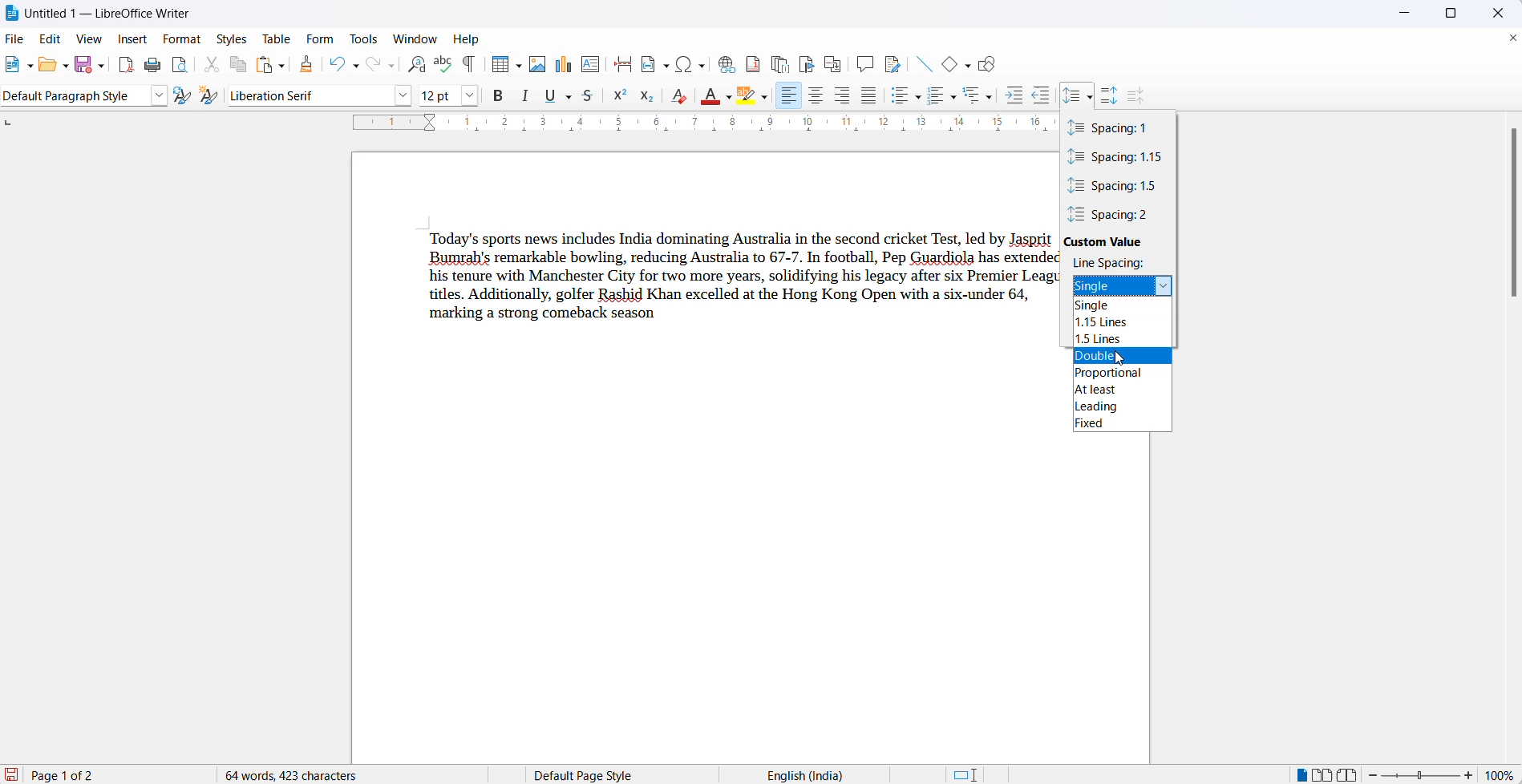 This screenshot has height=784, width=1522. I want to click on redo options, so click(391, 67).